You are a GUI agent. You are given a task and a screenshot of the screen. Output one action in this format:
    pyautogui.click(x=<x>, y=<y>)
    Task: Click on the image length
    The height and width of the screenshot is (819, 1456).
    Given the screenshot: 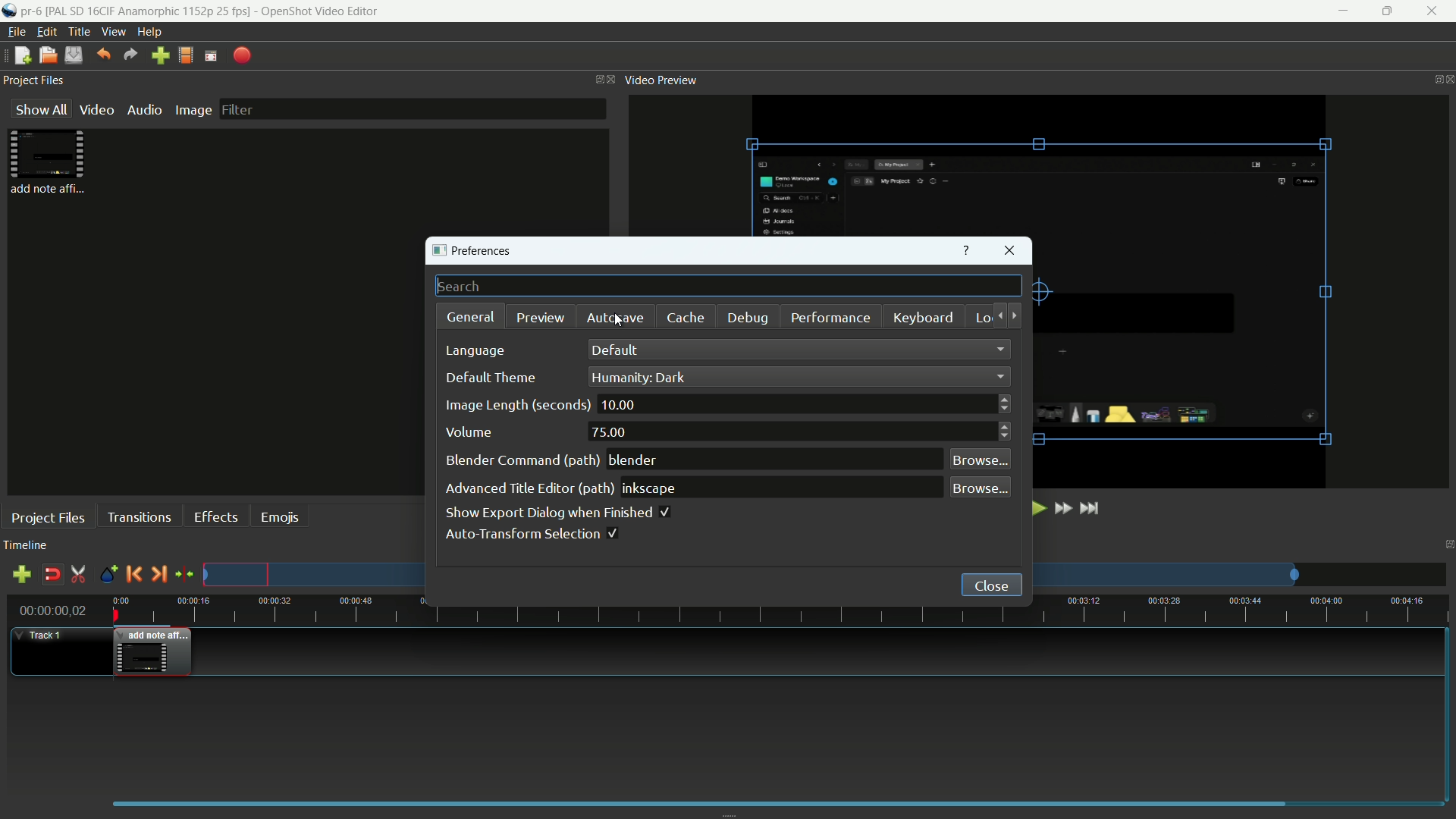 What is the action you would take?
    pyautogui.click(x=516, y=406)
    